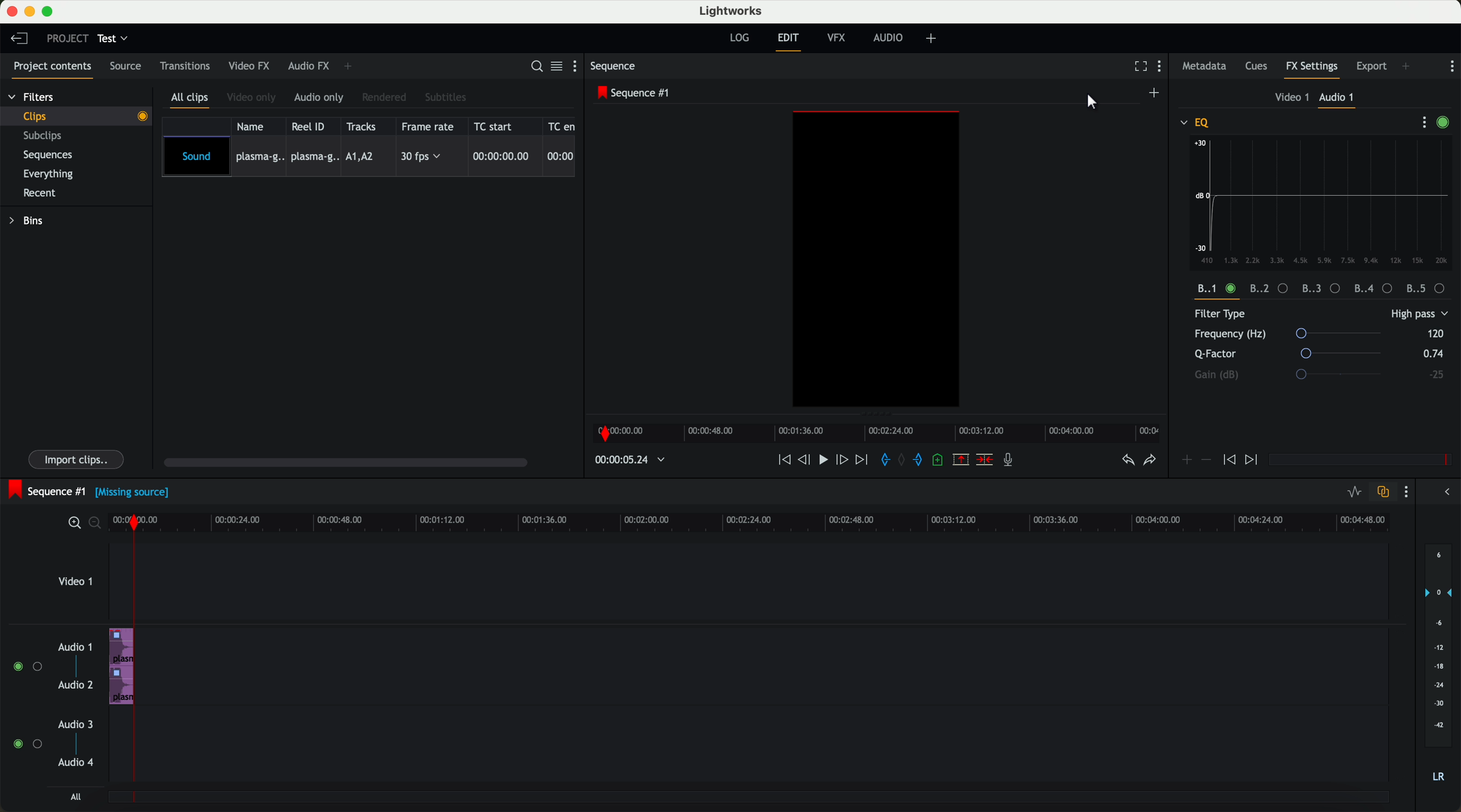 Image resolution: width=1461 pixels, height=812 pixels. I want to click on show settings menu, so click(1164, 68).